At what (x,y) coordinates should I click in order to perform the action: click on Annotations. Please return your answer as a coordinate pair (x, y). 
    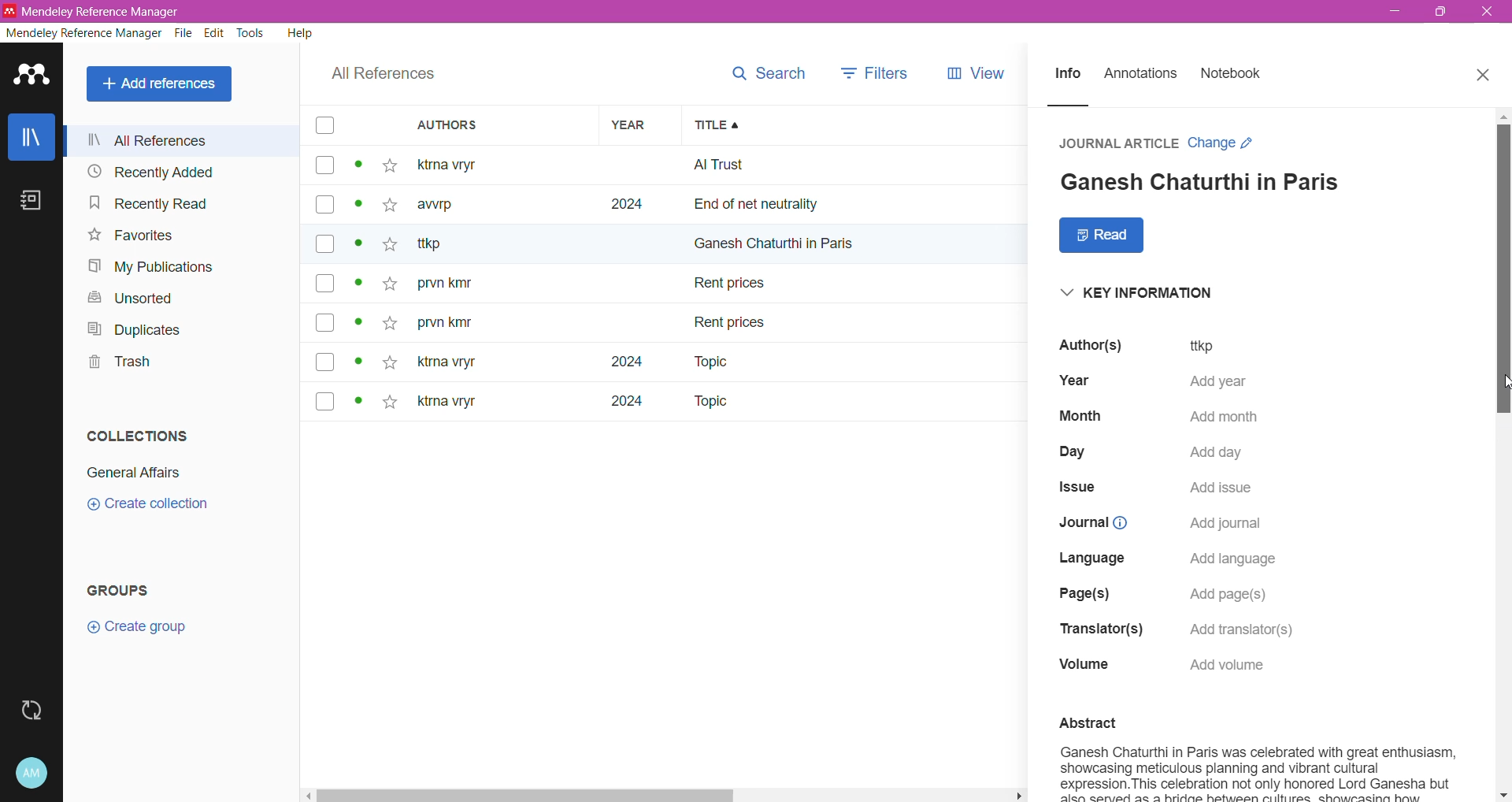
    Looking at the image, I should click on (1145, 75).